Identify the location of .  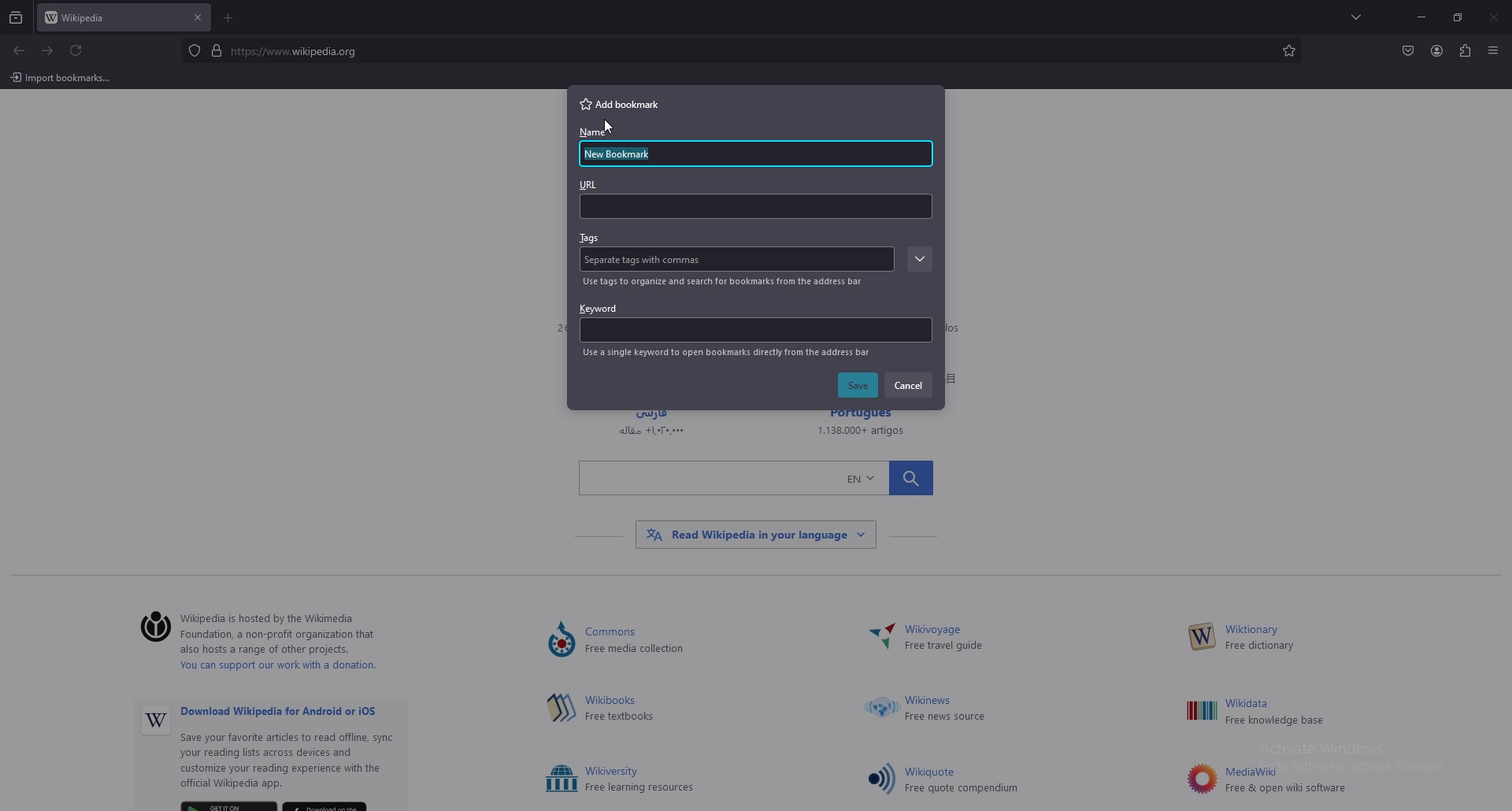
(1493, 53).